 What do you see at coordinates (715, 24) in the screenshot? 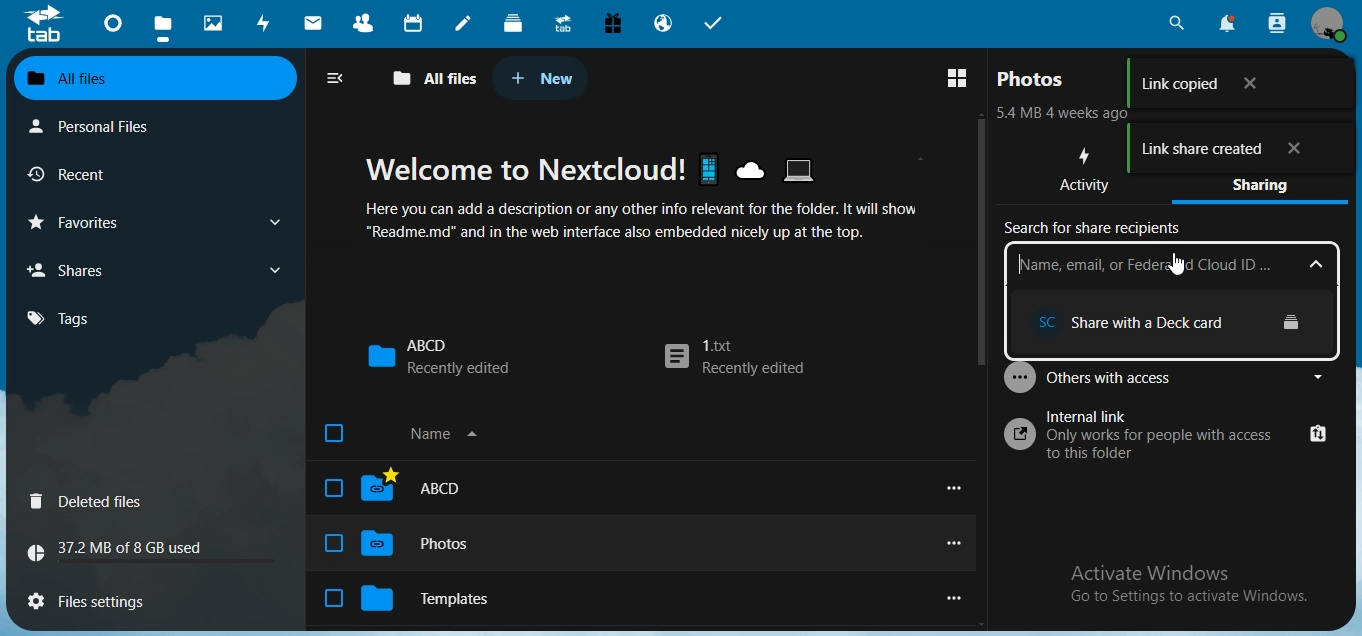
I see `tasks` at bounding box center [715, 24].